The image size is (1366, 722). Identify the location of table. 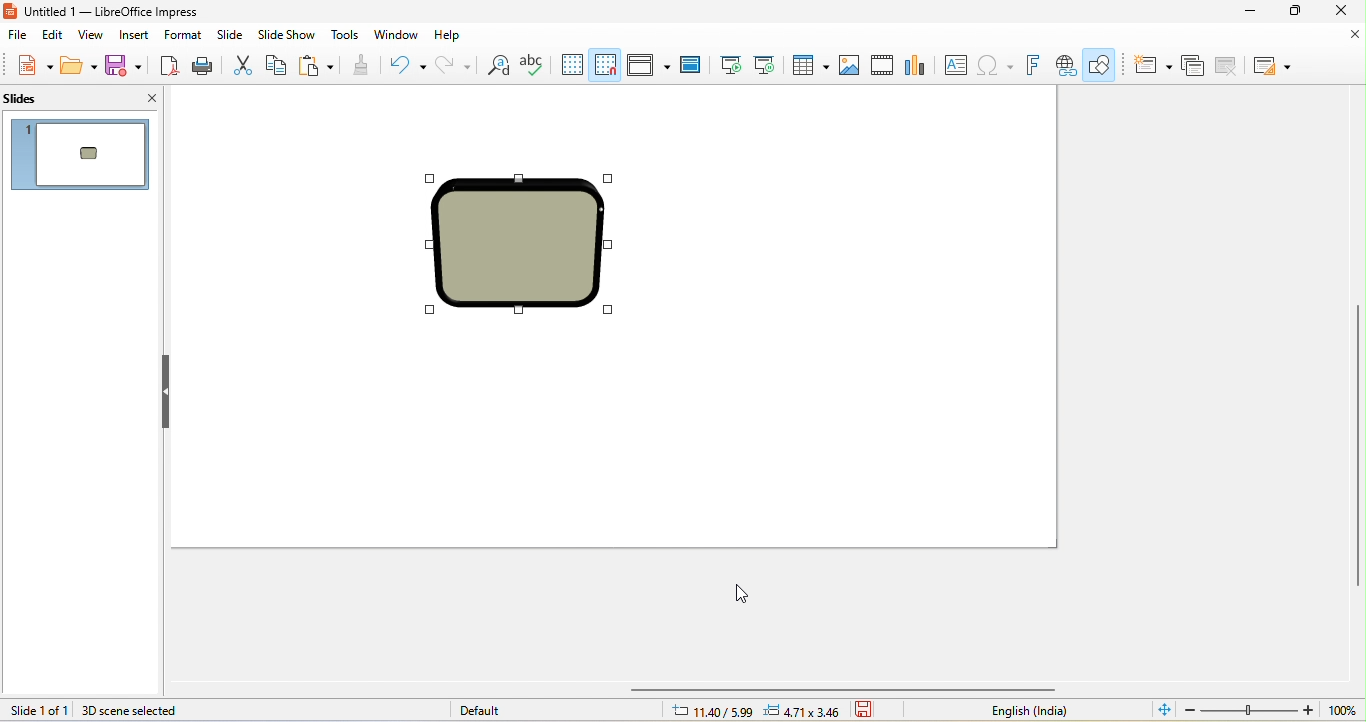
(808, 65).